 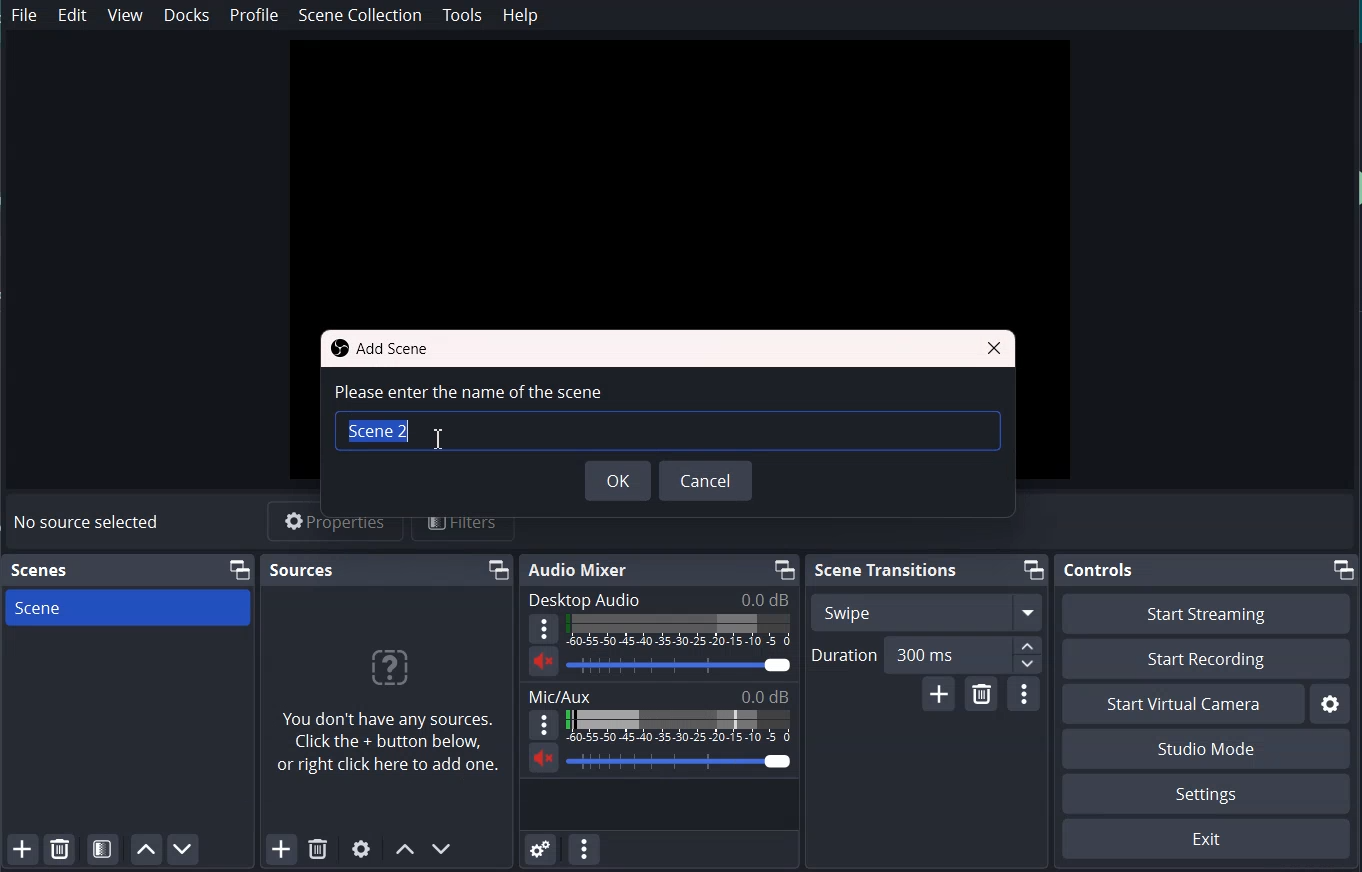 I want to click on Text Cursor, so click(x=439, y=439).